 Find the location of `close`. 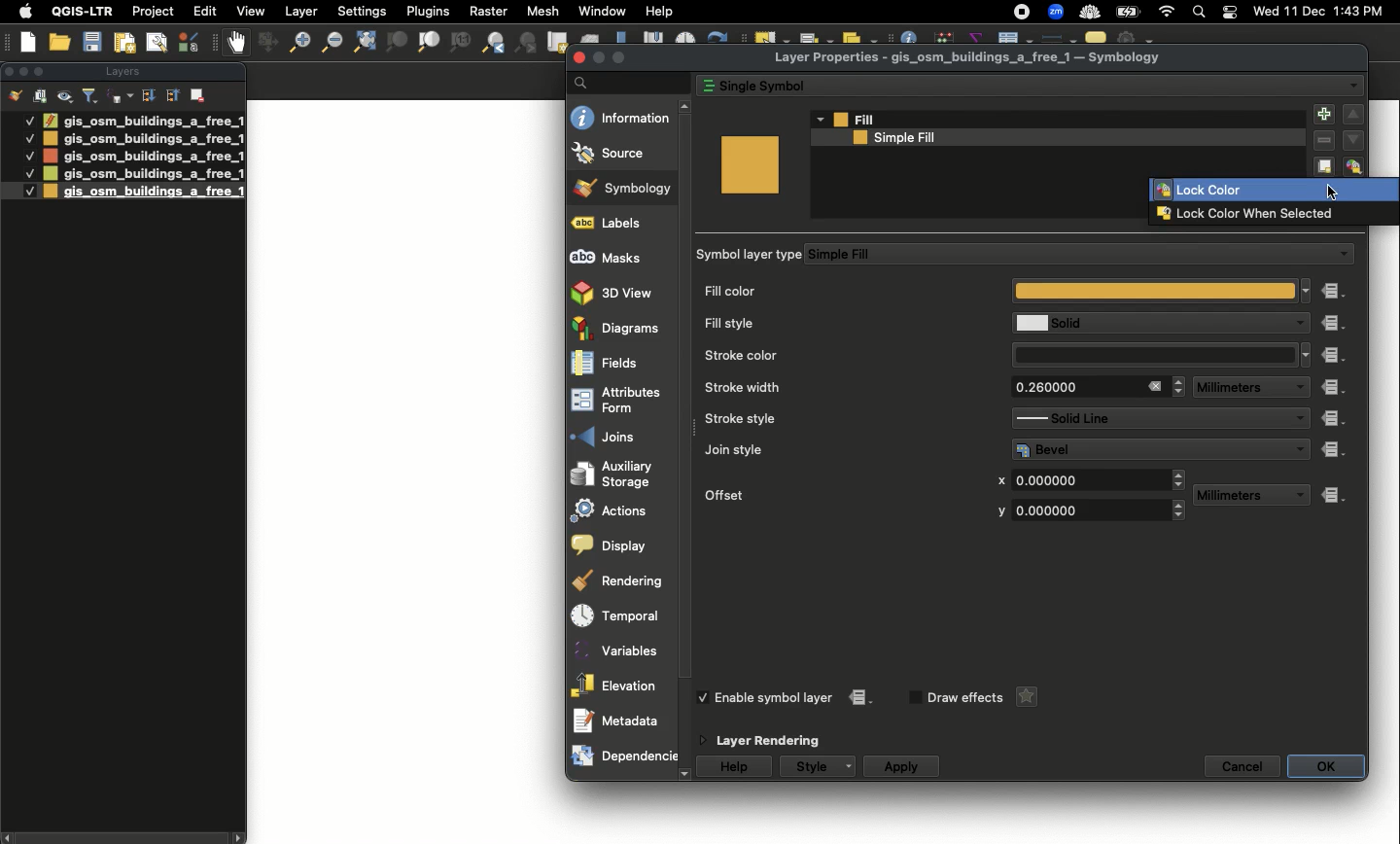

close is located at coordinates (580, 58).